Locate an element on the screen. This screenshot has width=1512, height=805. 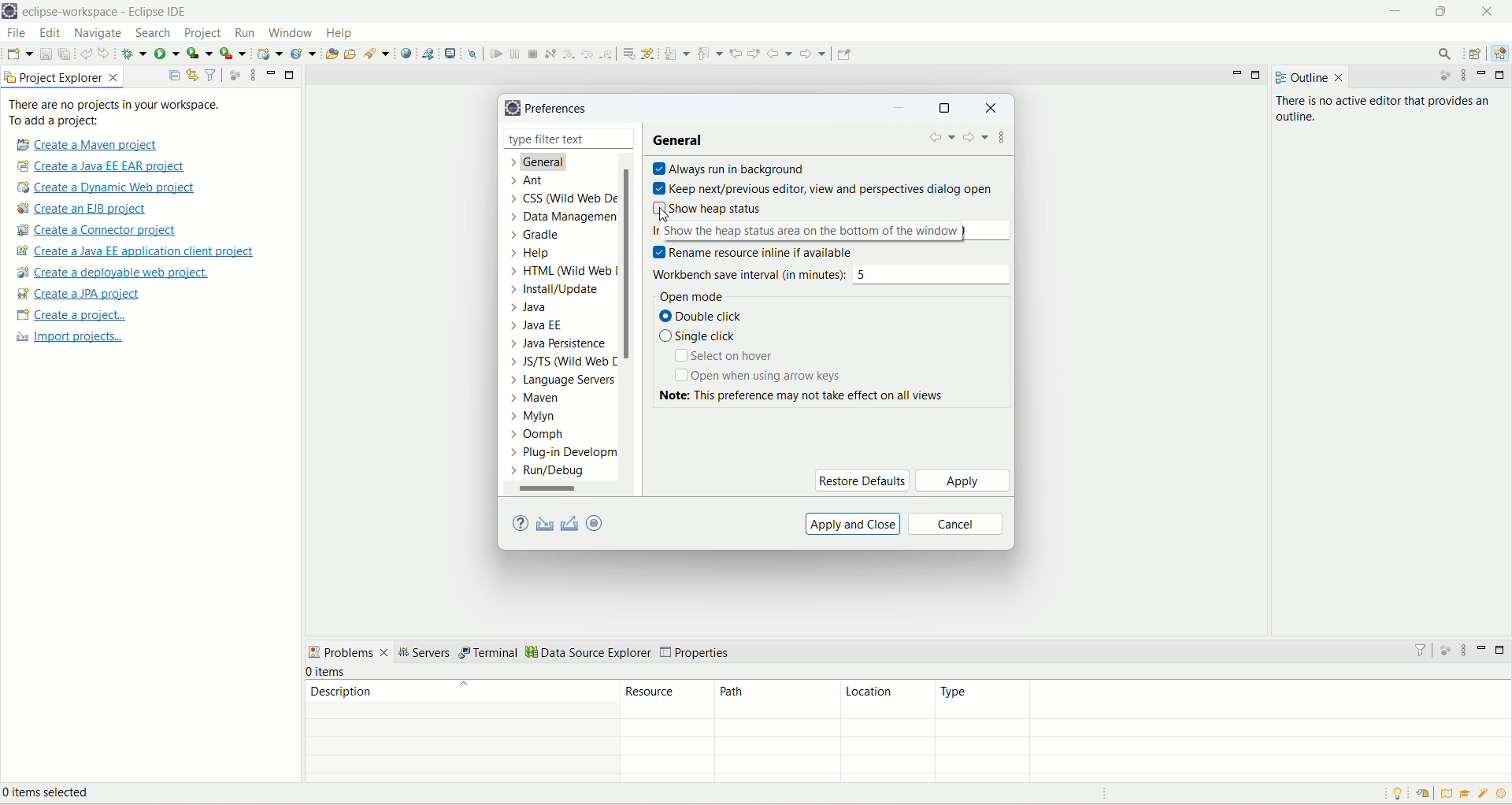
tutorials is located at coordinates (1467, 794).